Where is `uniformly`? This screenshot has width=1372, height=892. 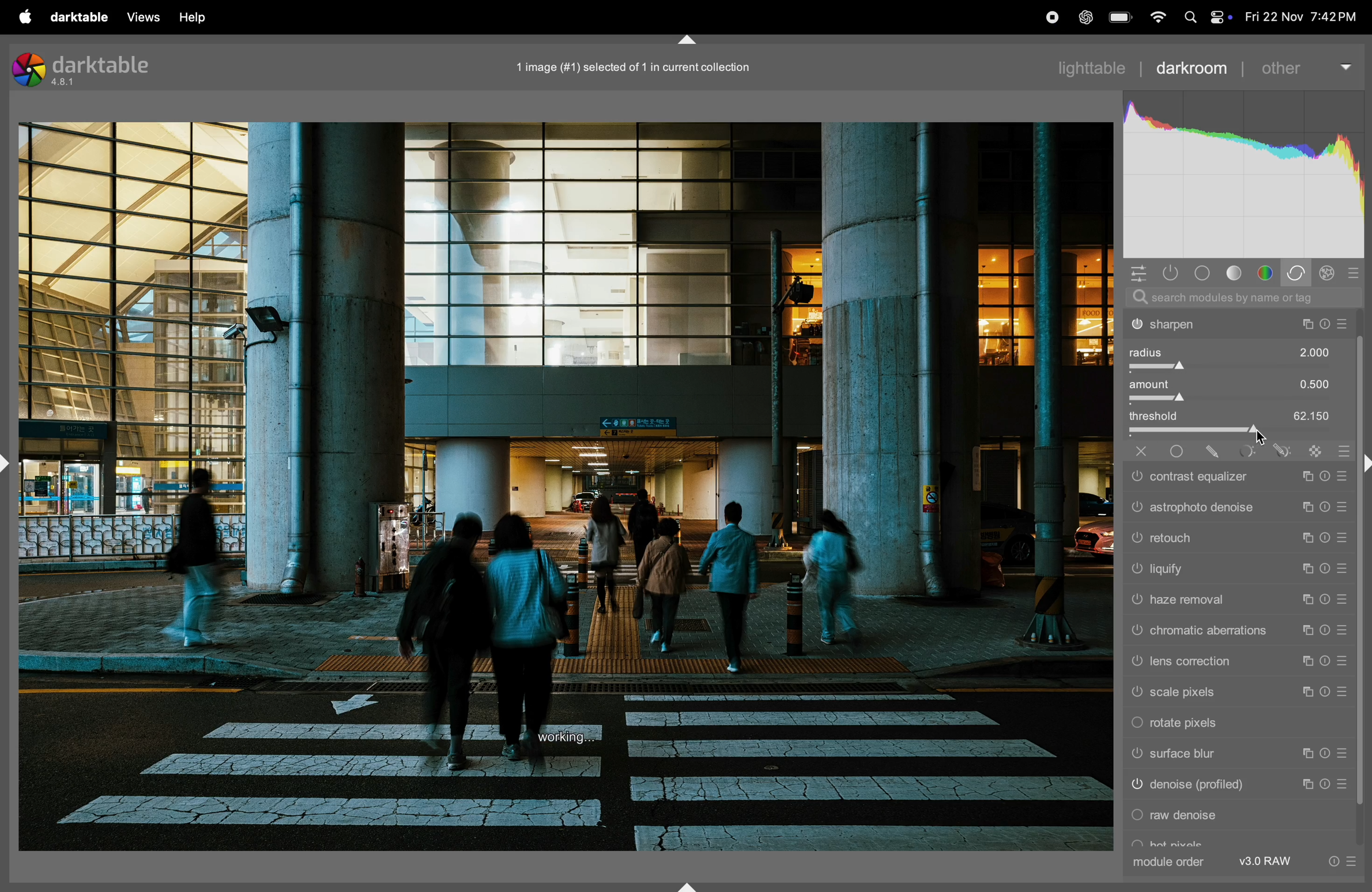
uniformly is located at coordinates (1178, 451).